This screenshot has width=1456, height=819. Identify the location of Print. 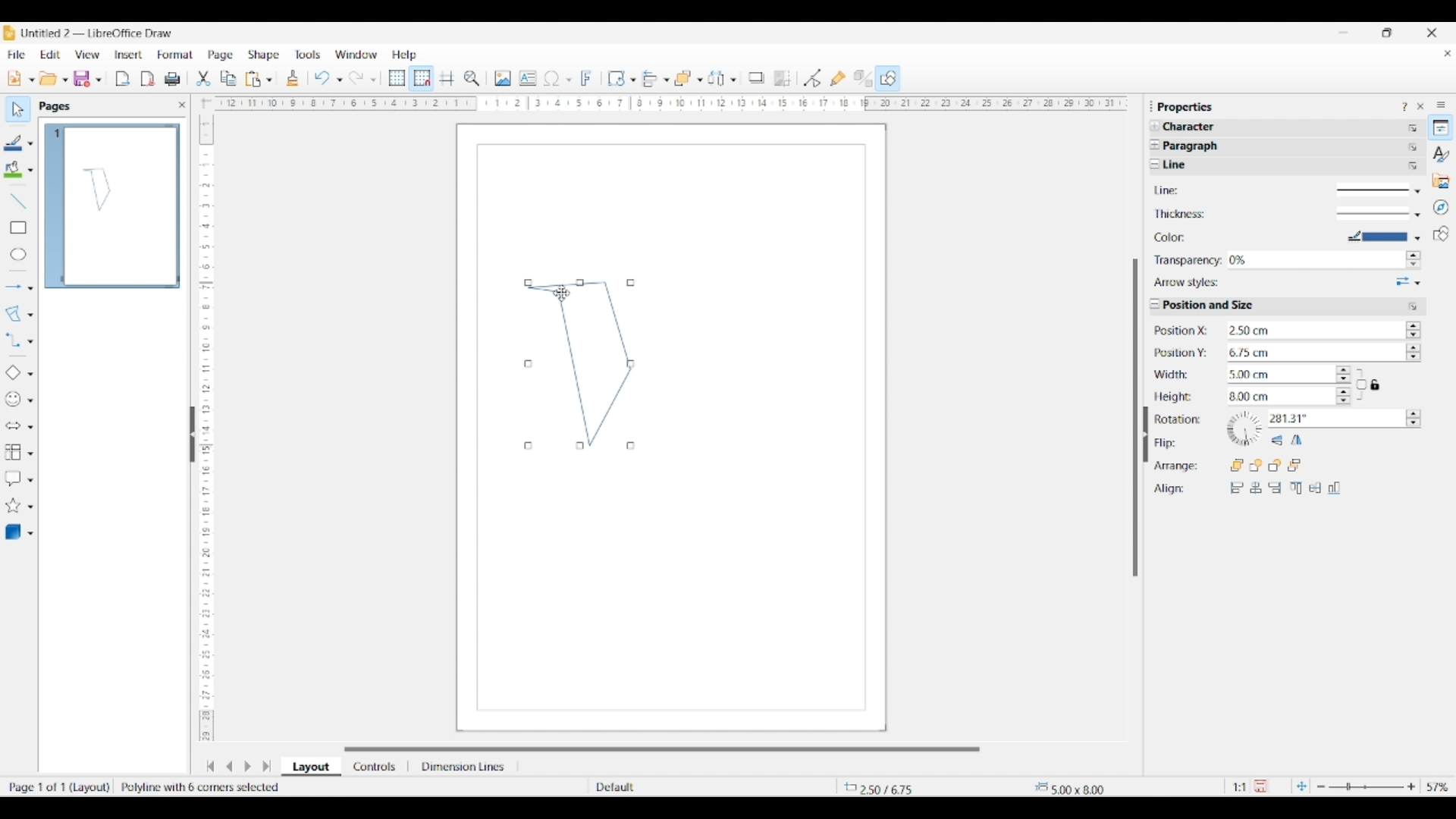
(172, 79).